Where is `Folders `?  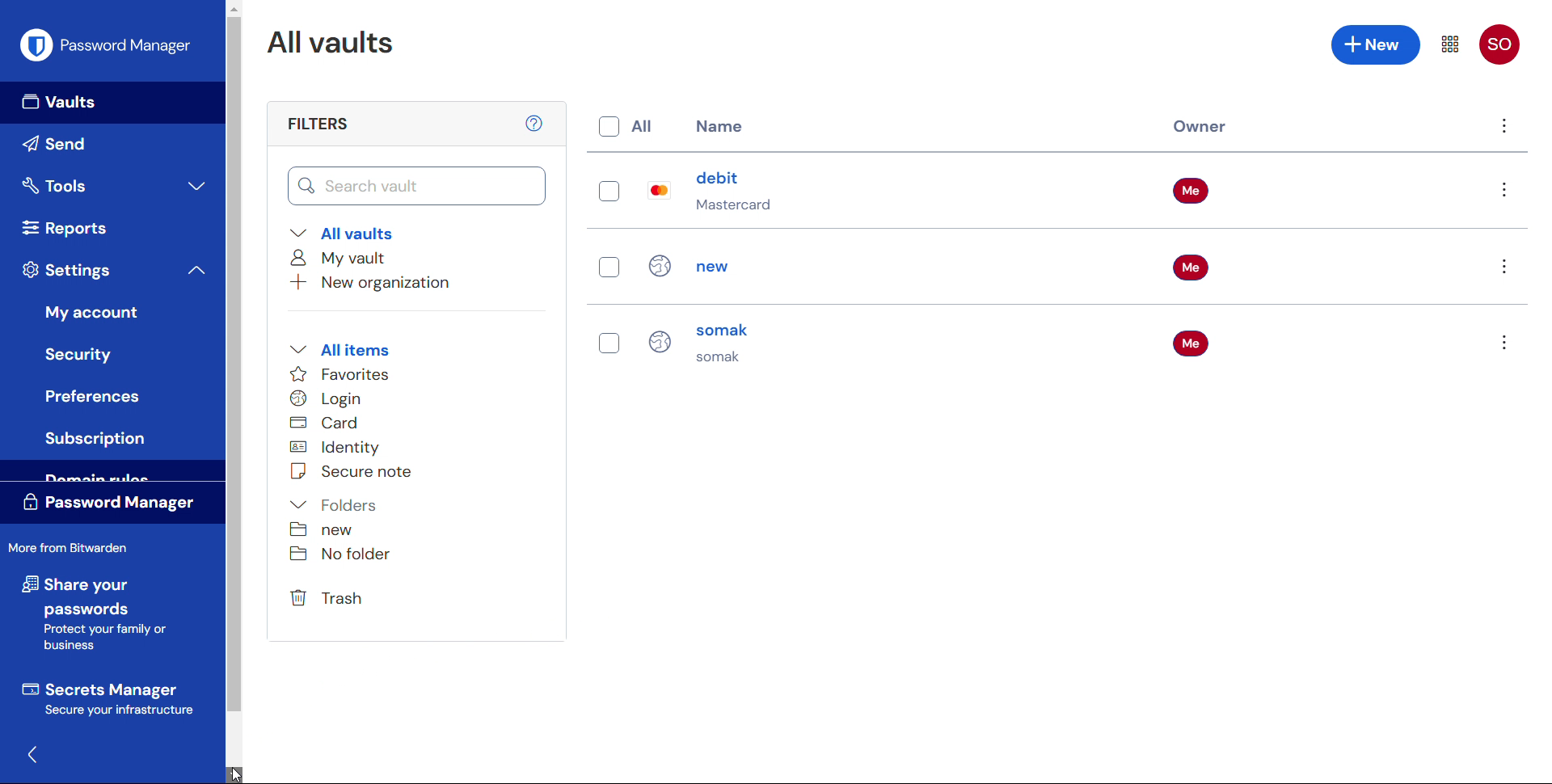
Folders  is located at coordinates (334, 505).